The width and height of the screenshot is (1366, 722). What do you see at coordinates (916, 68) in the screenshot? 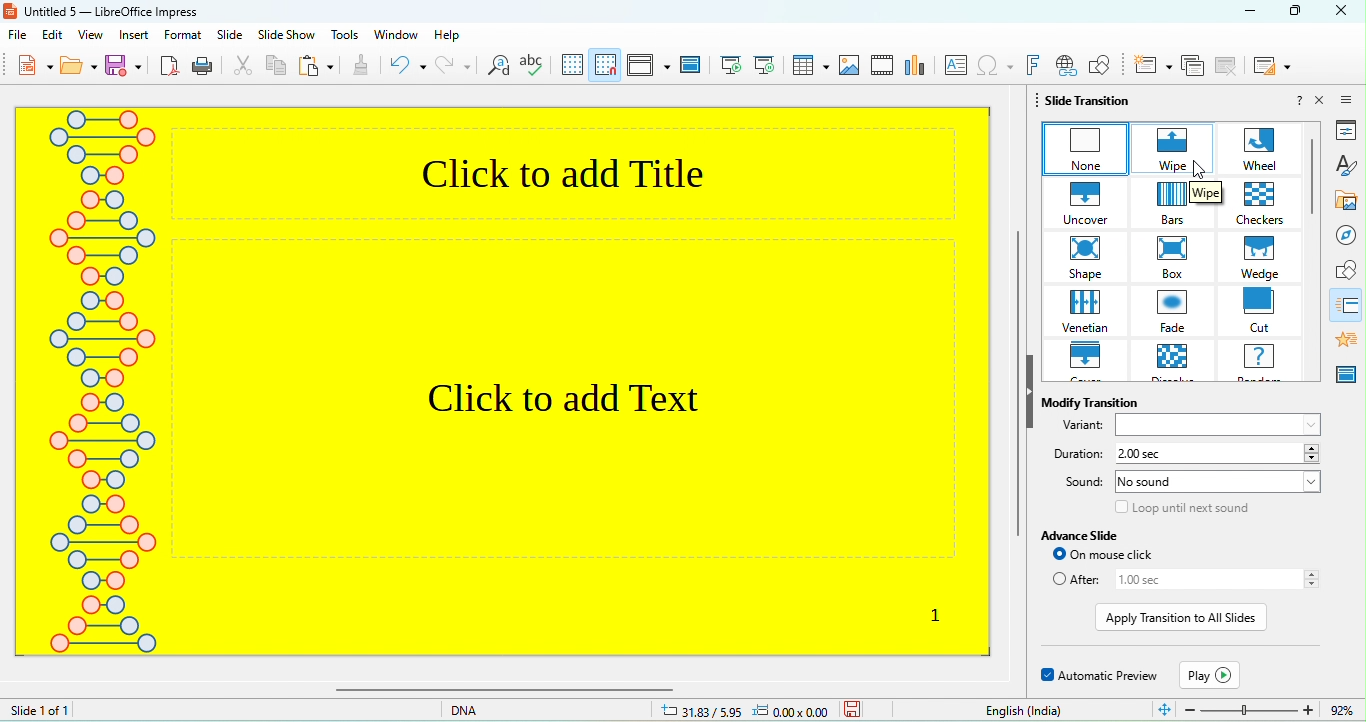
I see `chart` at bounding box center [916, 68].